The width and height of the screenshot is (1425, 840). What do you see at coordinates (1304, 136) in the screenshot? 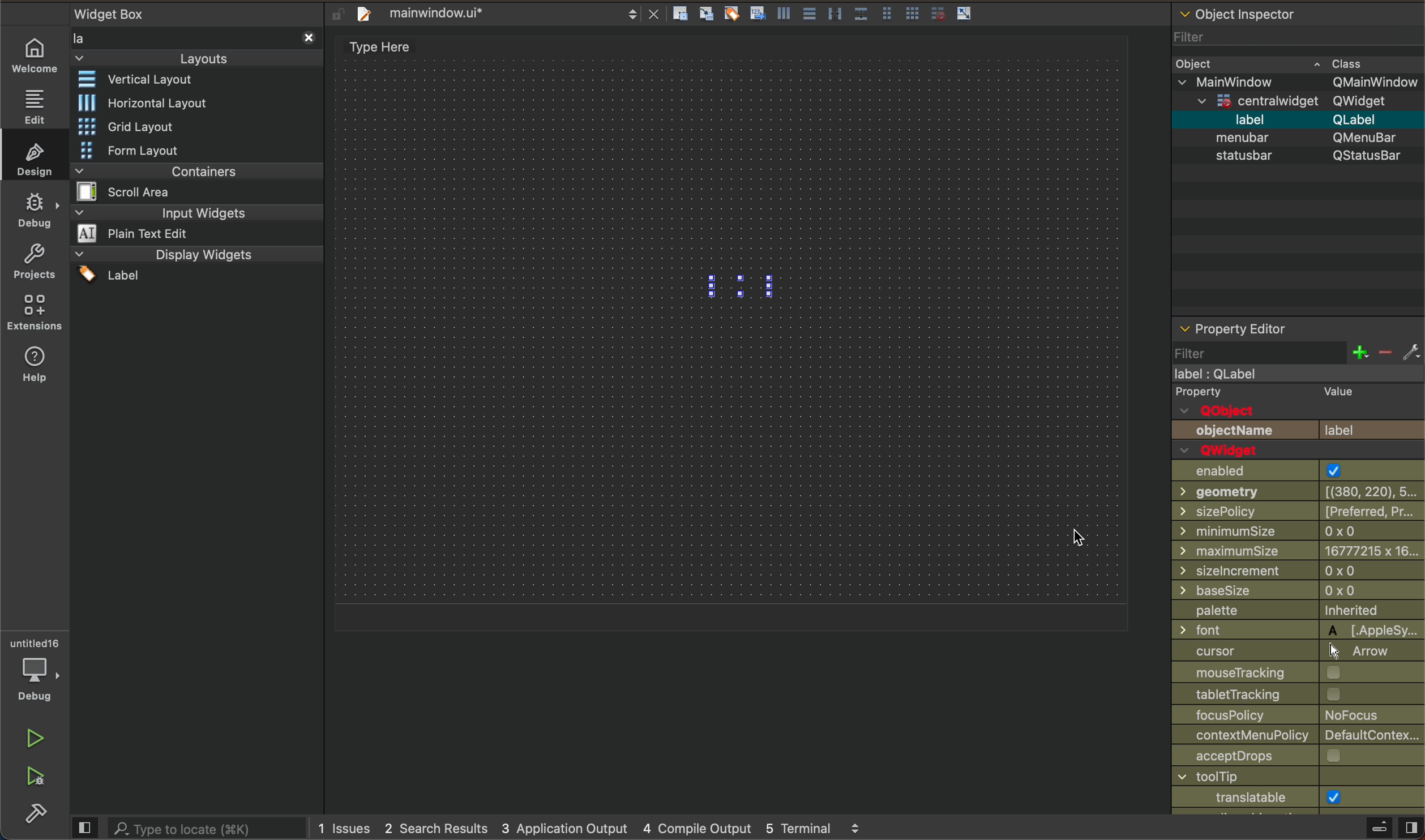
I see `menbar` at bounding box center [1304, 136].